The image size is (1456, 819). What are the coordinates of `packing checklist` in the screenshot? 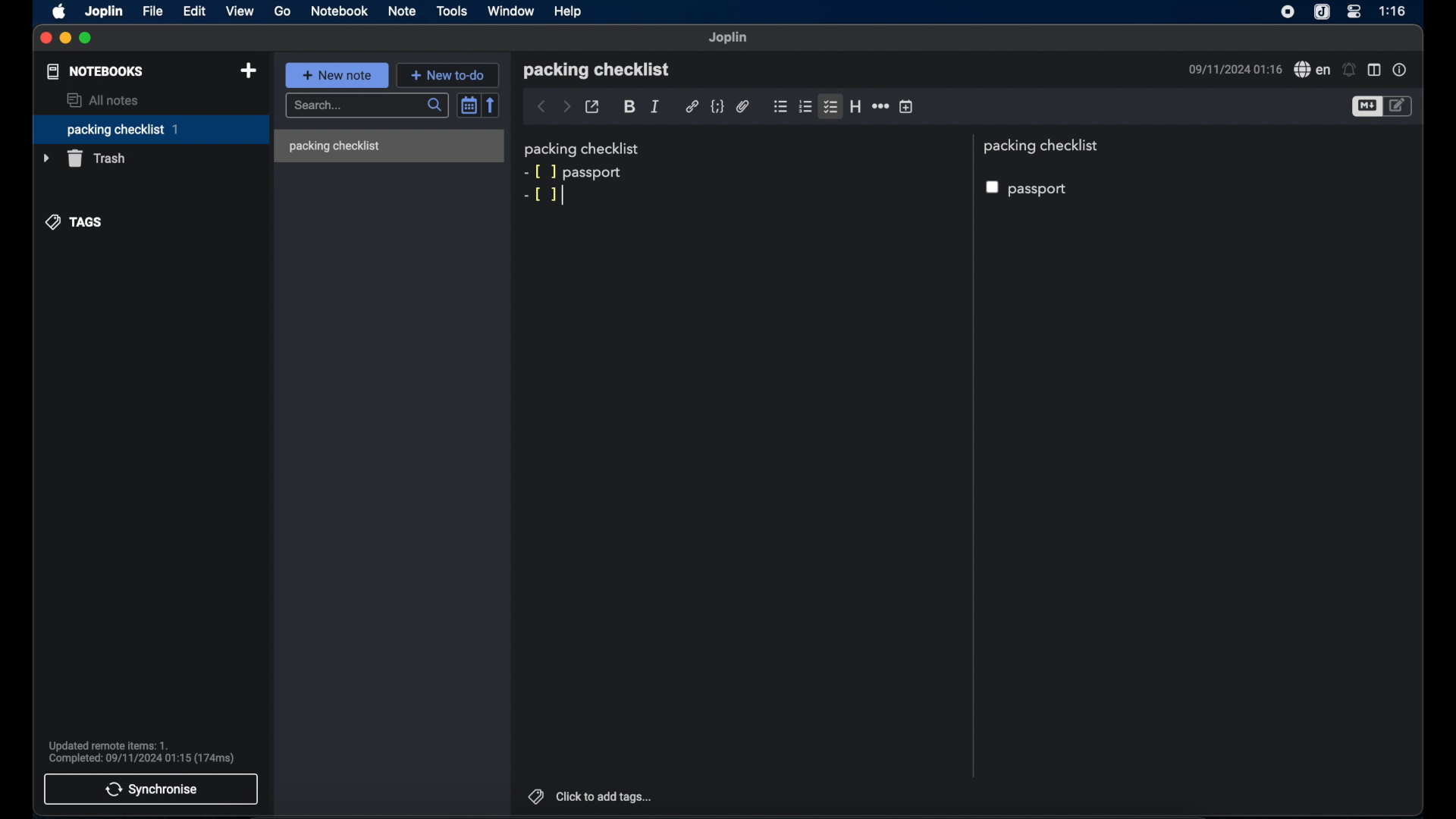 It's located at (596, 70).